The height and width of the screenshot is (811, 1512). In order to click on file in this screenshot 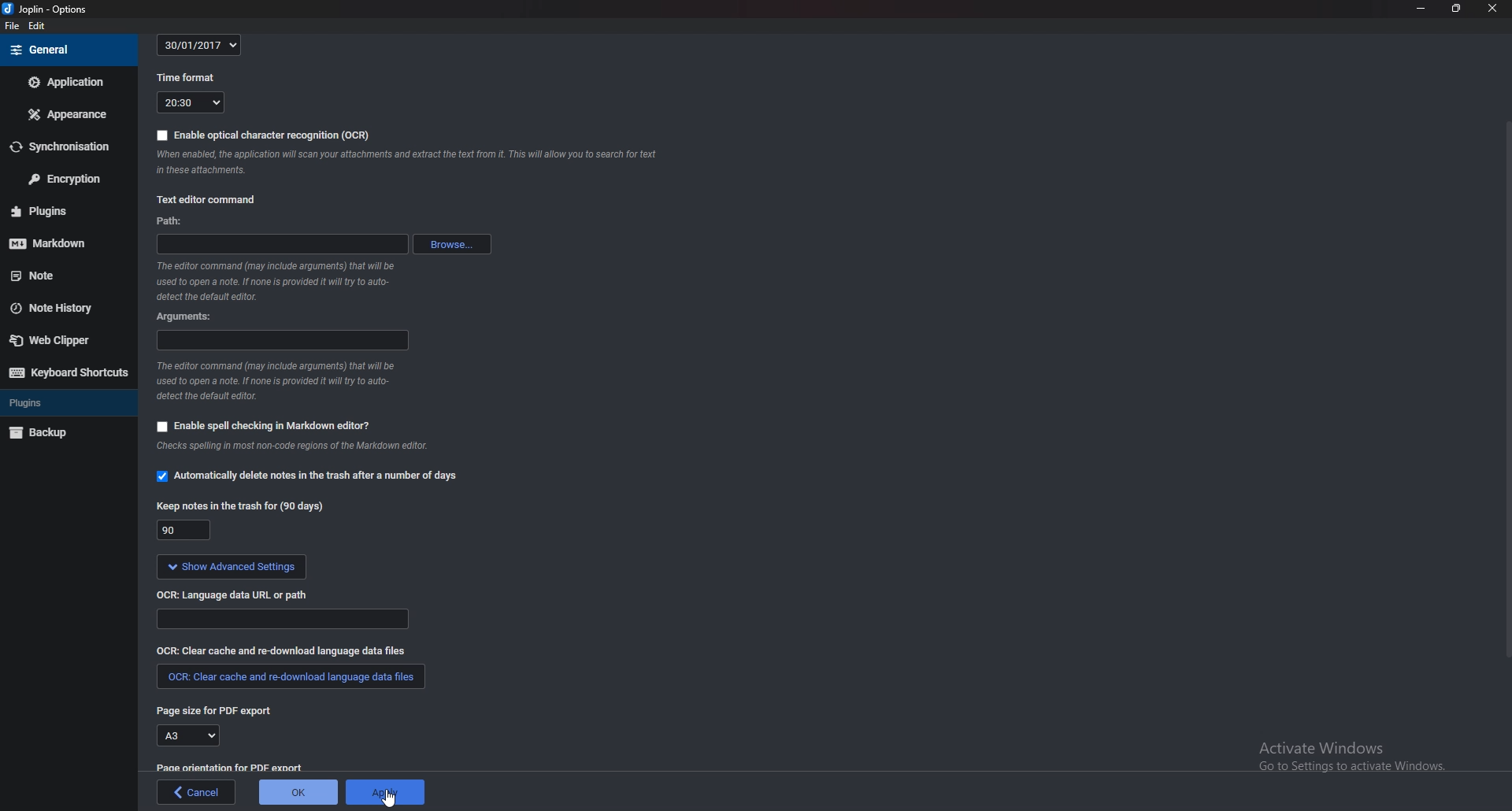, I will do `click(13, 26)`.